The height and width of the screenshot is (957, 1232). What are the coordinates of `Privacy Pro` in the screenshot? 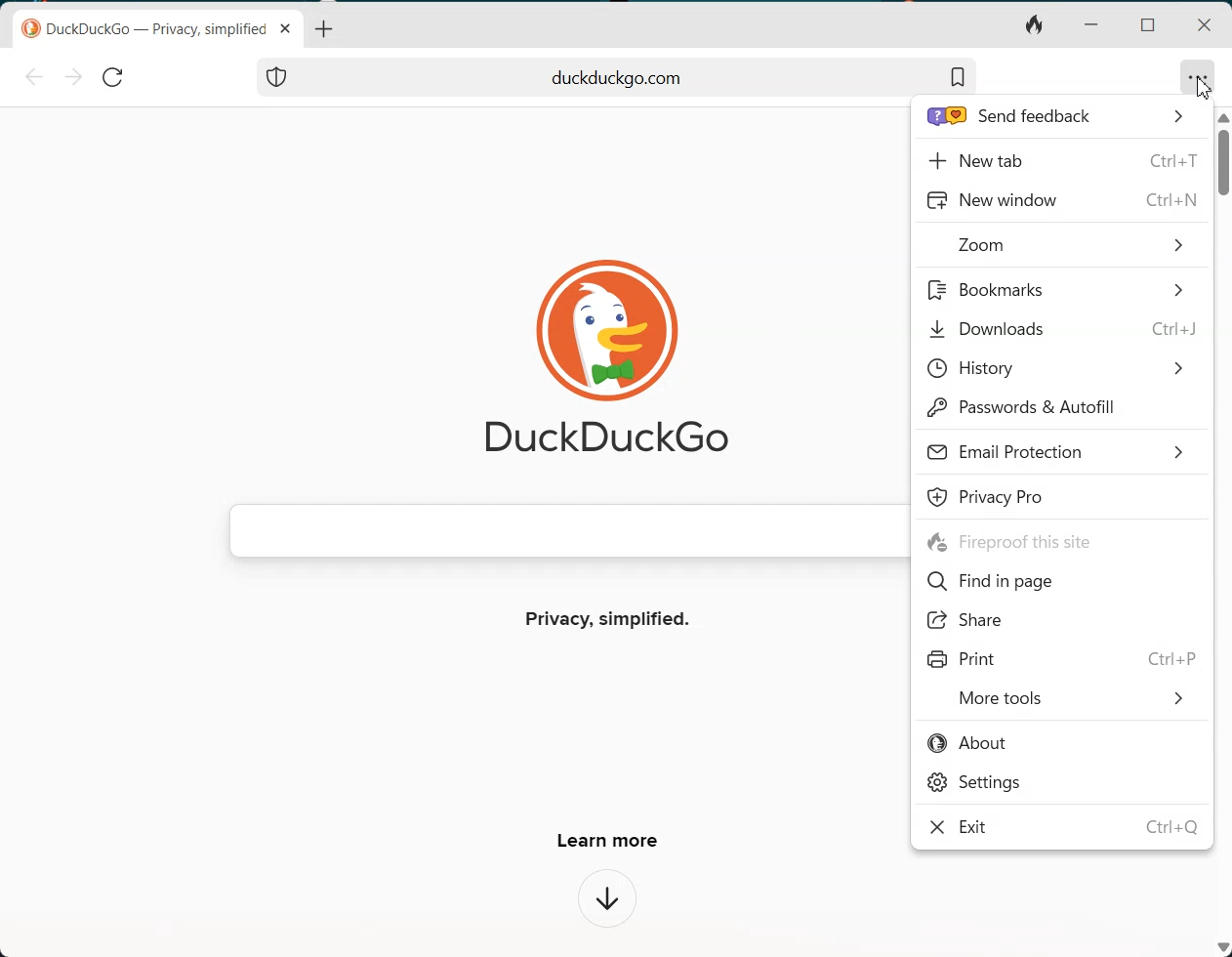 It's located at (1063, 494).